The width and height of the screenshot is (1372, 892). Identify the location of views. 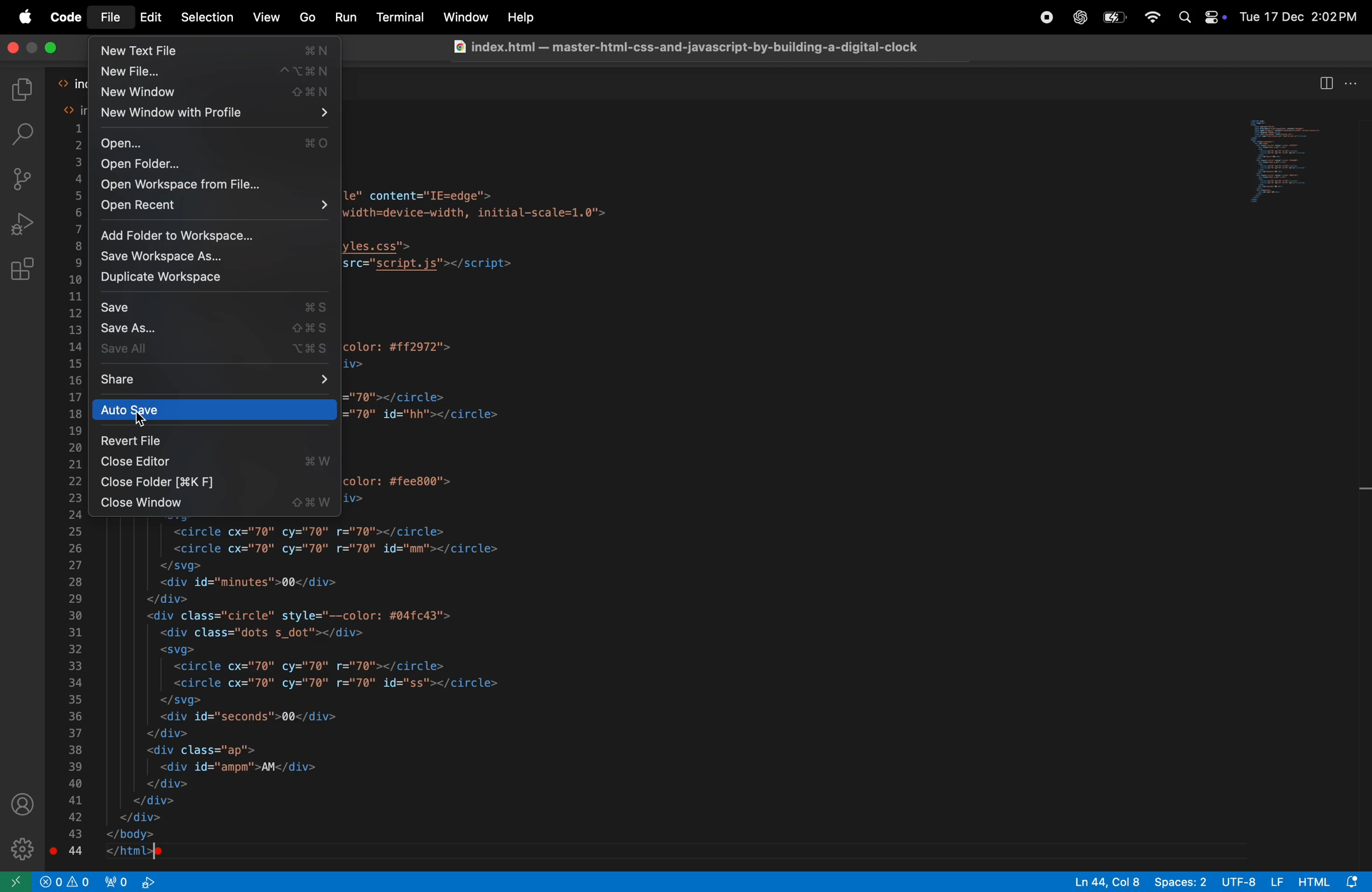
(265, 17).